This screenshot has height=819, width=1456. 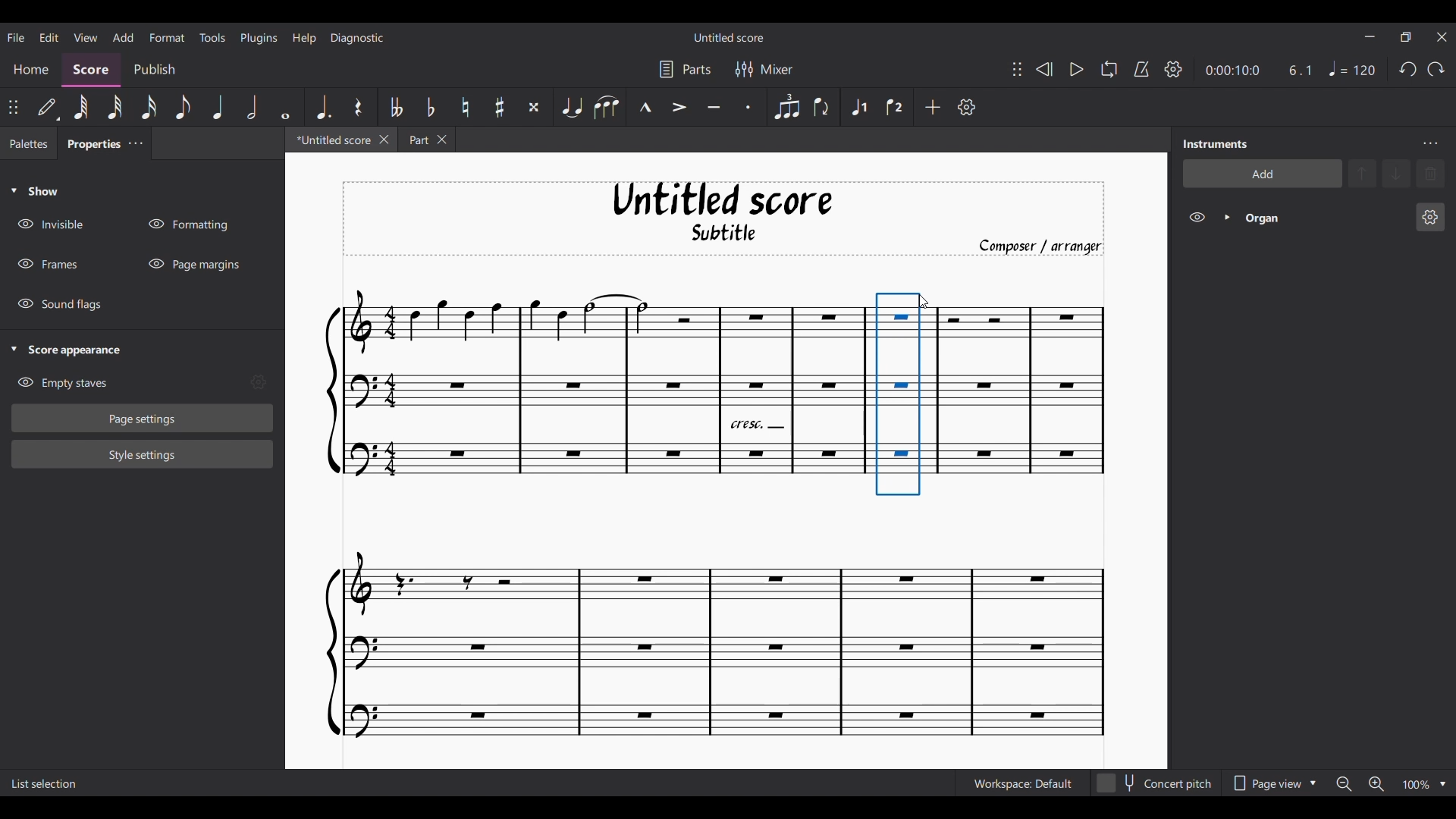 I want to click on Looping playback , so click(x=1109, y=69).